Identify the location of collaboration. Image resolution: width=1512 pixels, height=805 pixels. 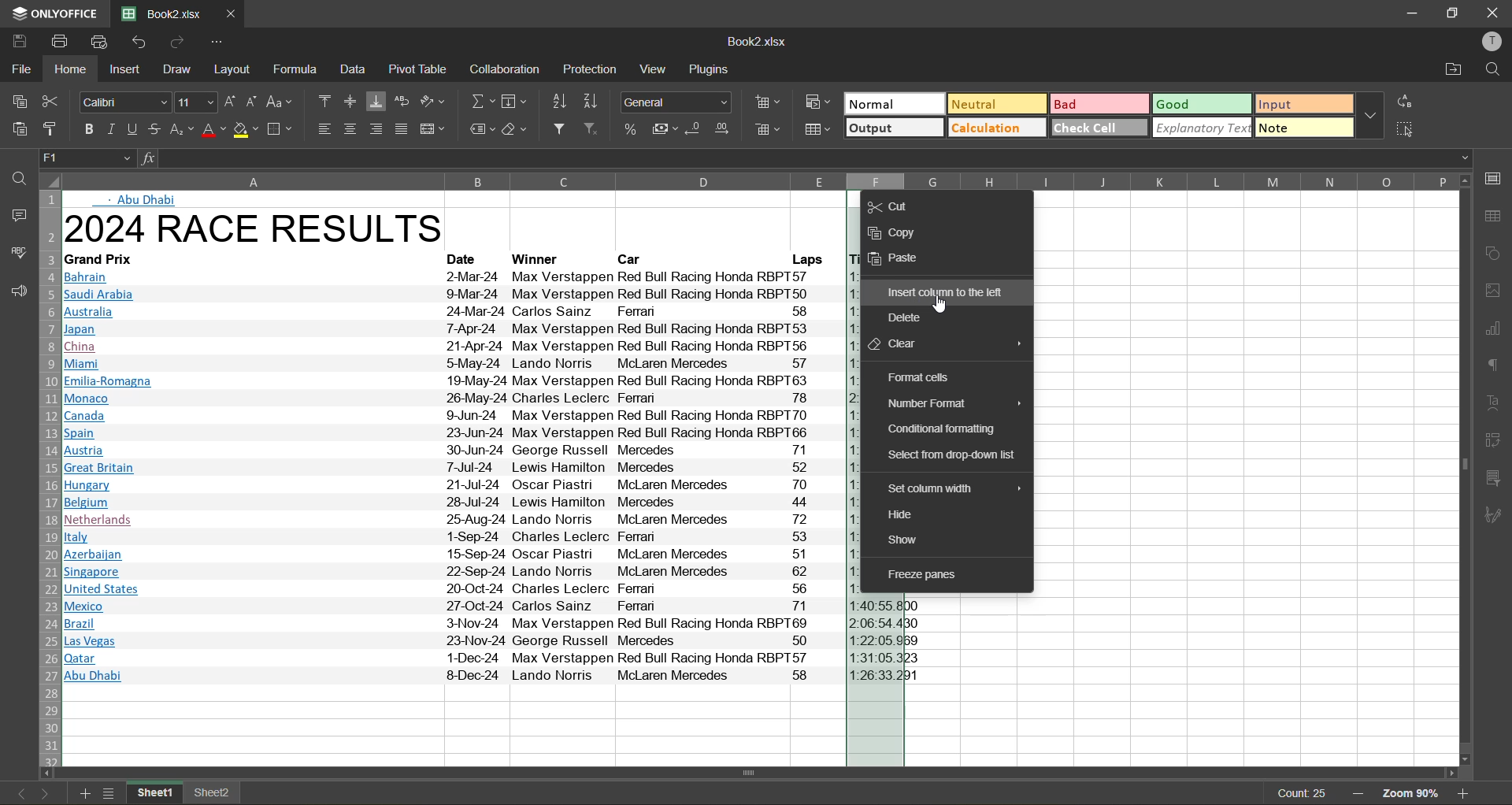
(506, 69).